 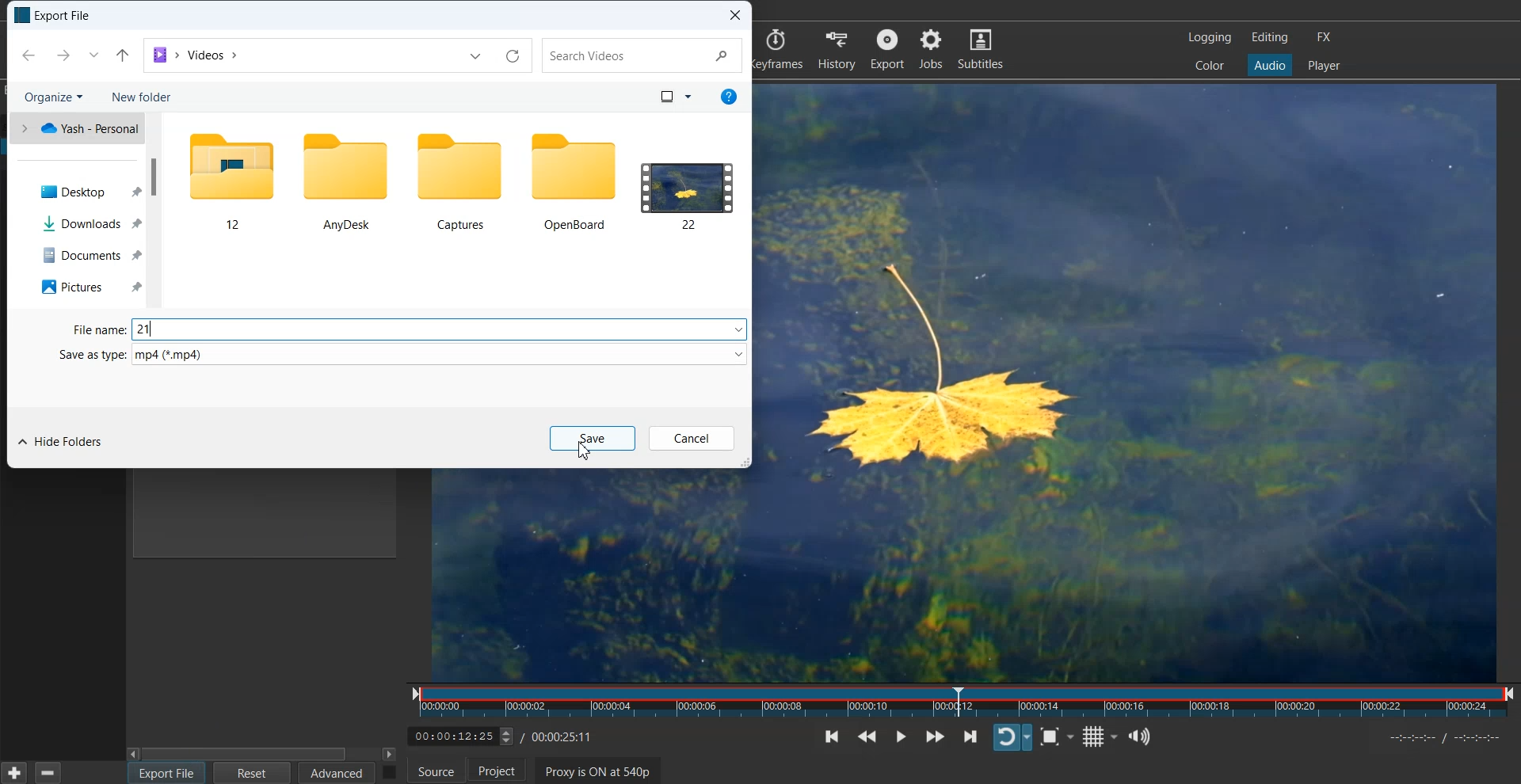 I want to click on Export File, so click(x=166, y=773).